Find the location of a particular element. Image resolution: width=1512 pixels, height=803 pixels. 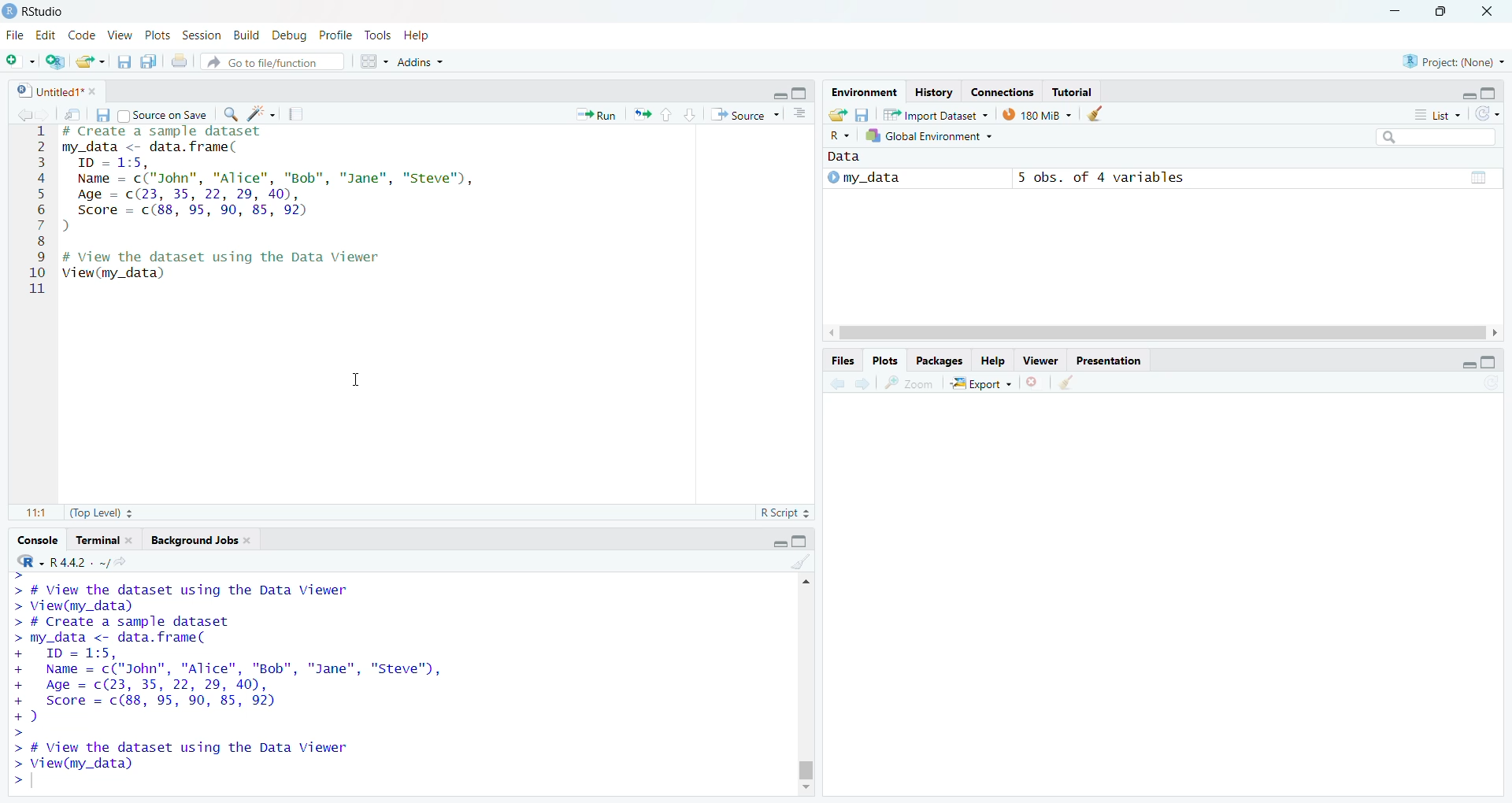

Print the current file is located at coordinates (176, 61).